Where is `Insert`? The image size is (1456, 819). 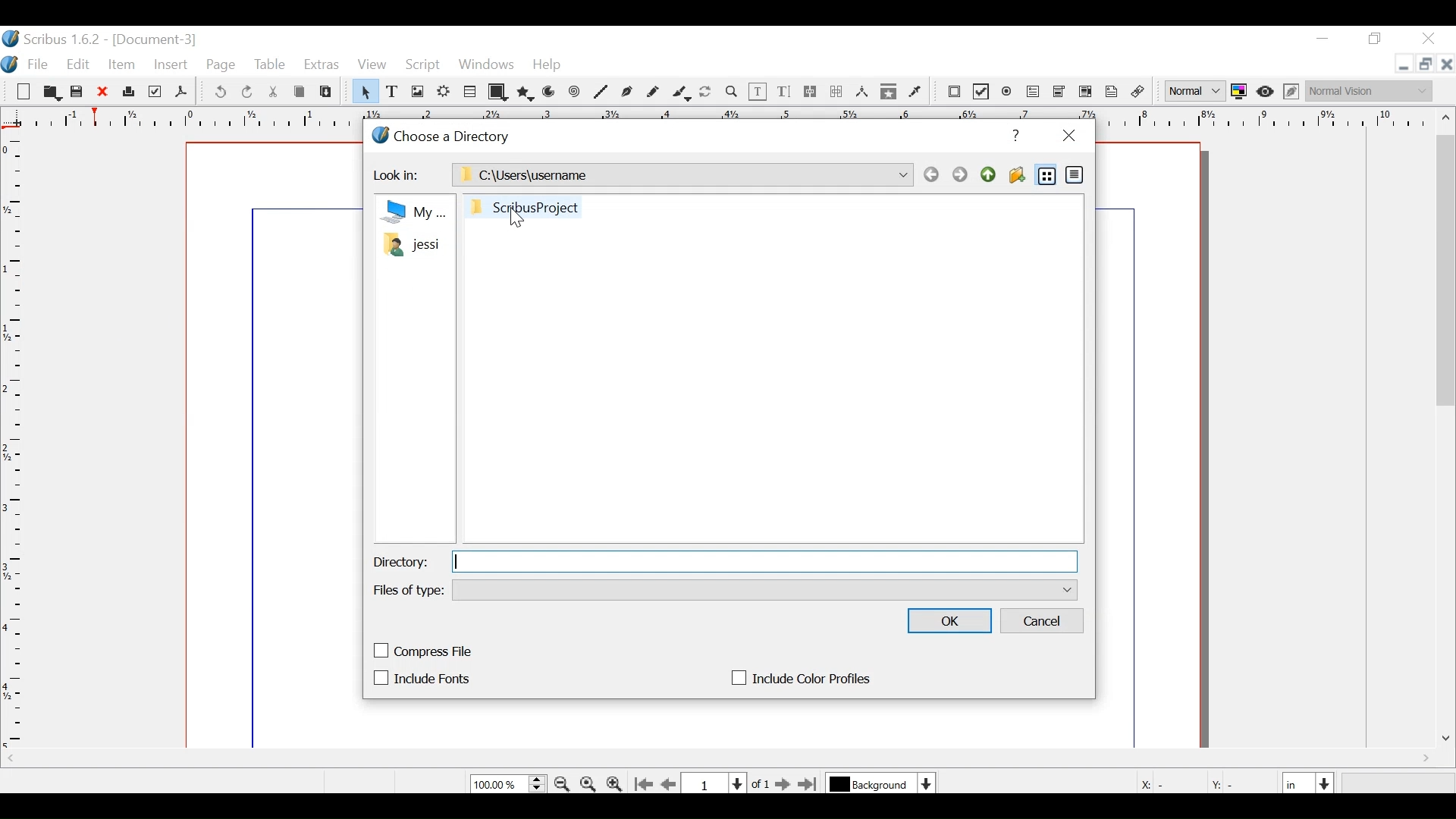 Insert is located at coordinates (170, 65).